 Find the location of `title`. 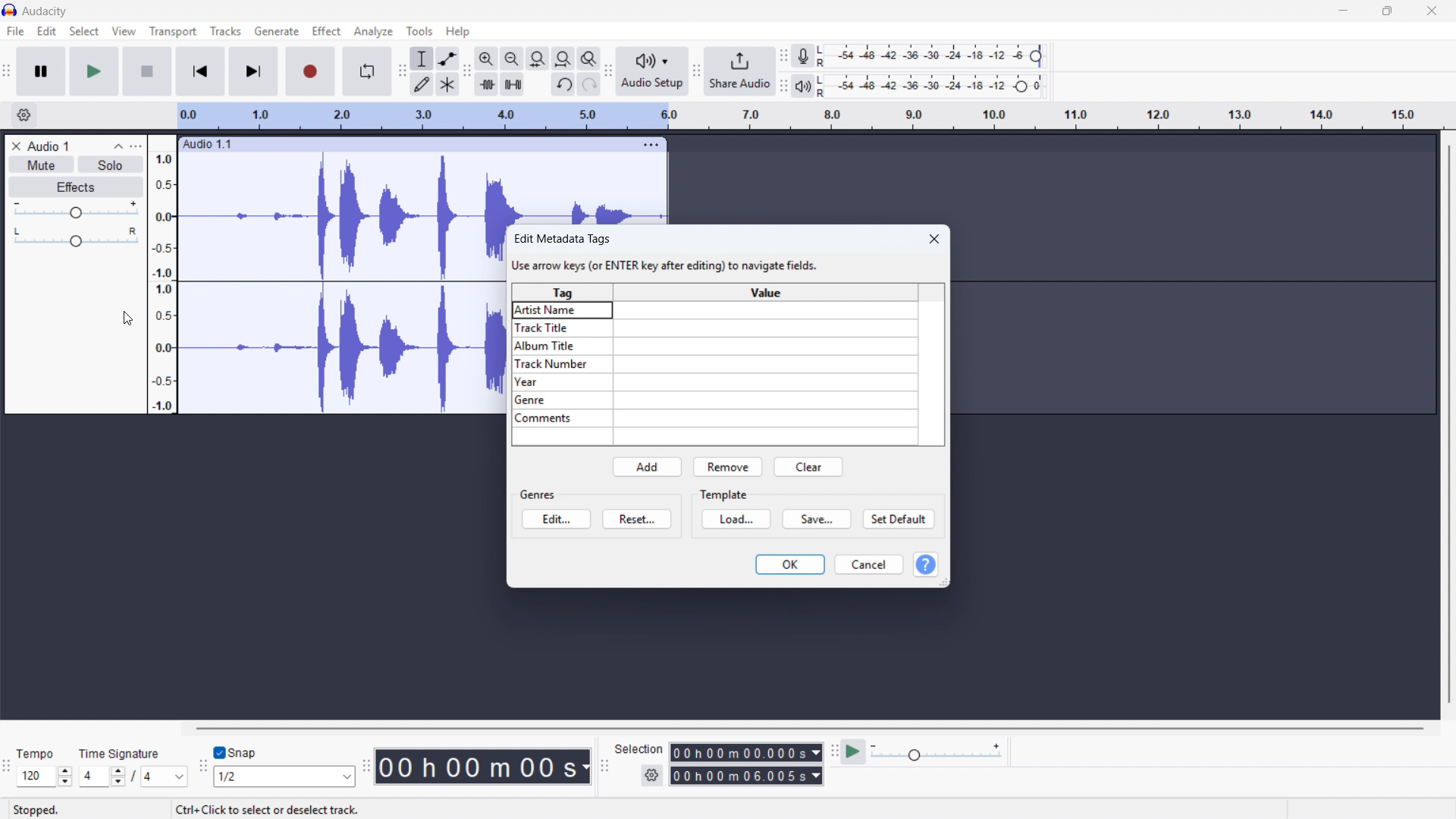

title is located at coordinates (45, 11).